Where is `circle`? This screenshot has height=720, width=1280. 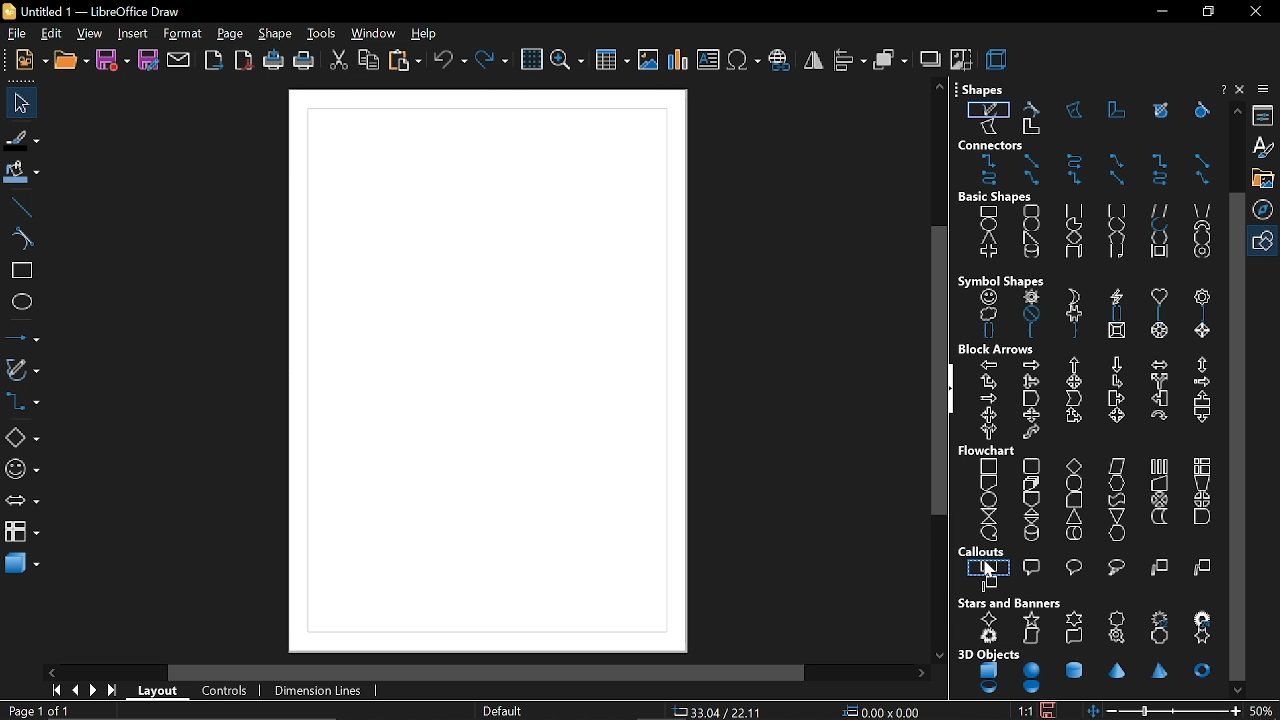 circle is located at coordinates (1031, 226).